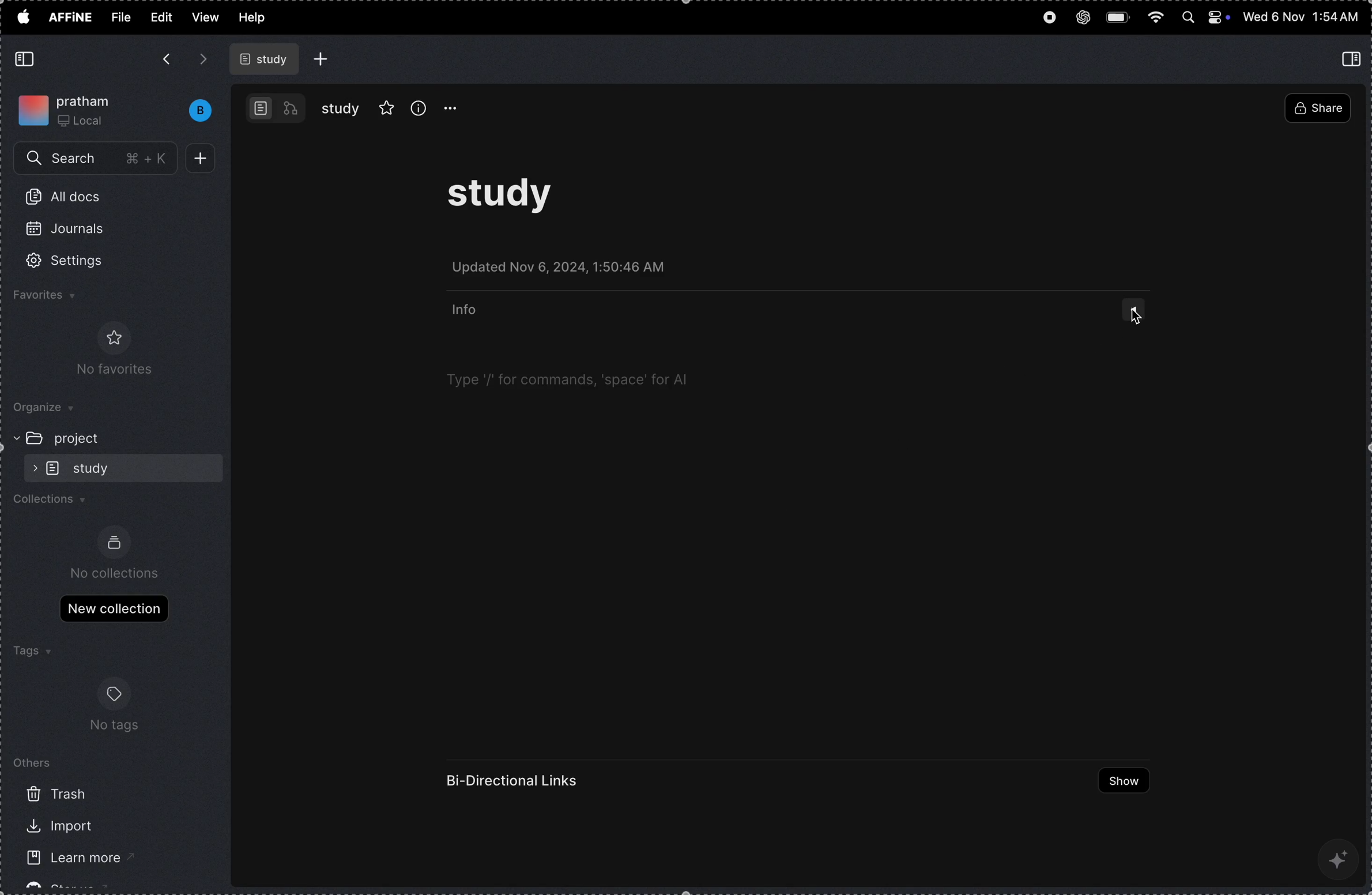 The height and width of the screenshot is (895, 1372). What do you see at coordinates (1118, 781) in the screenshot?
I see `show` at bounding box center [1118, 781].